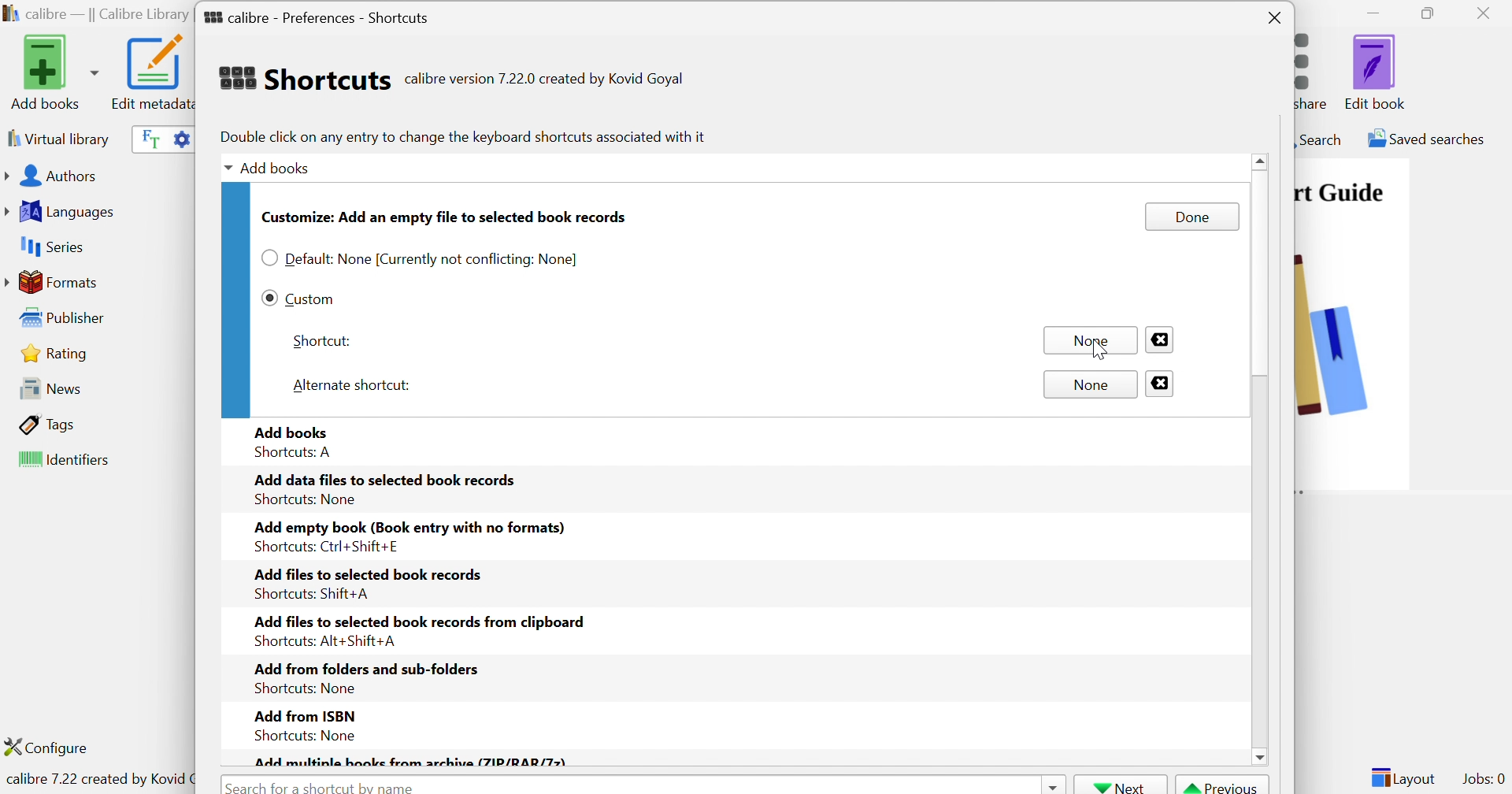 Image resolution: width=1512 pixels, height=794 pixels. I want to click on Custom, so click(310, 298).